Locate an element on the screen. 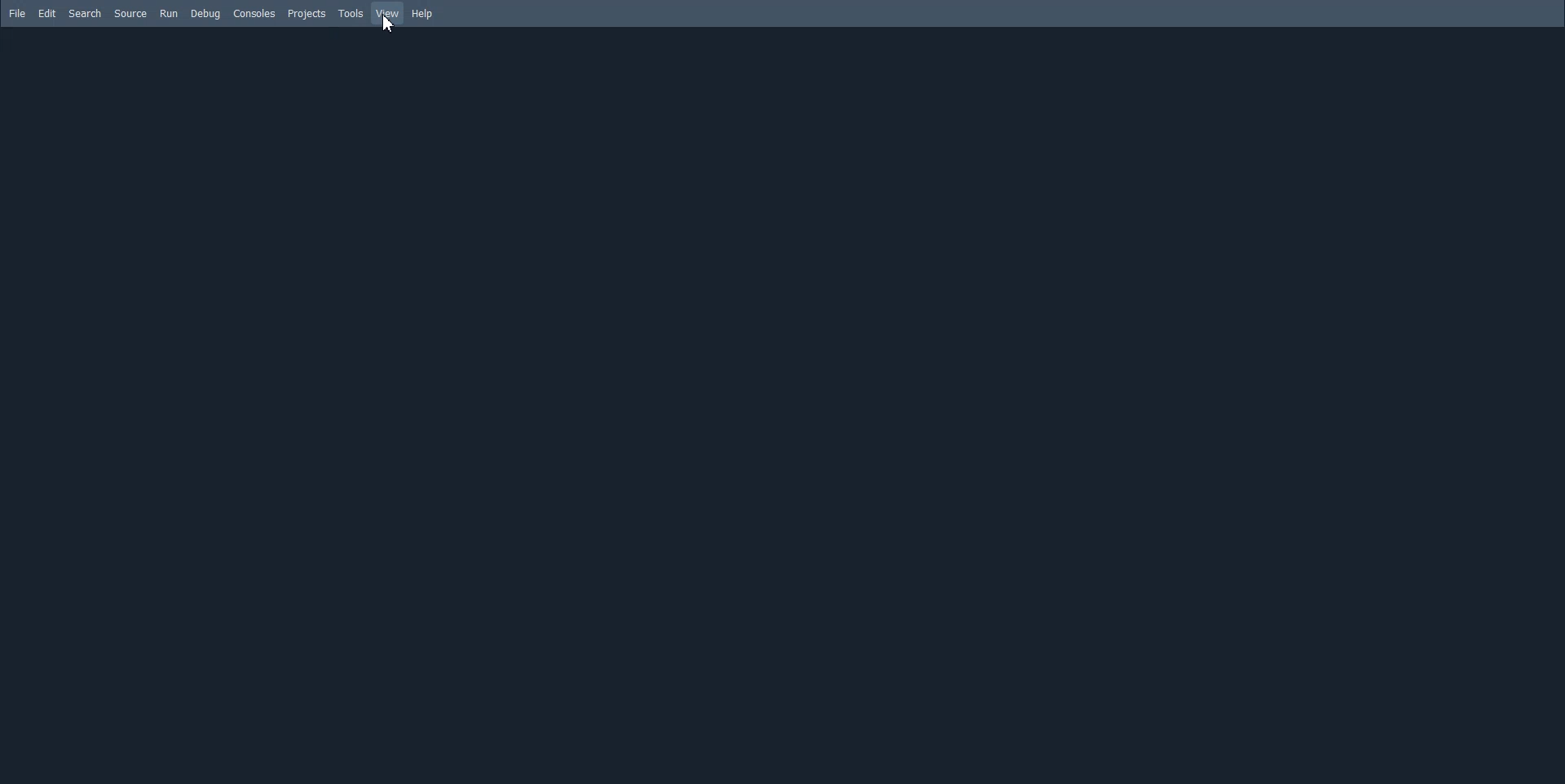 This screenshot has height=784, width=1565. Projects is located at coordinates (306, 13).